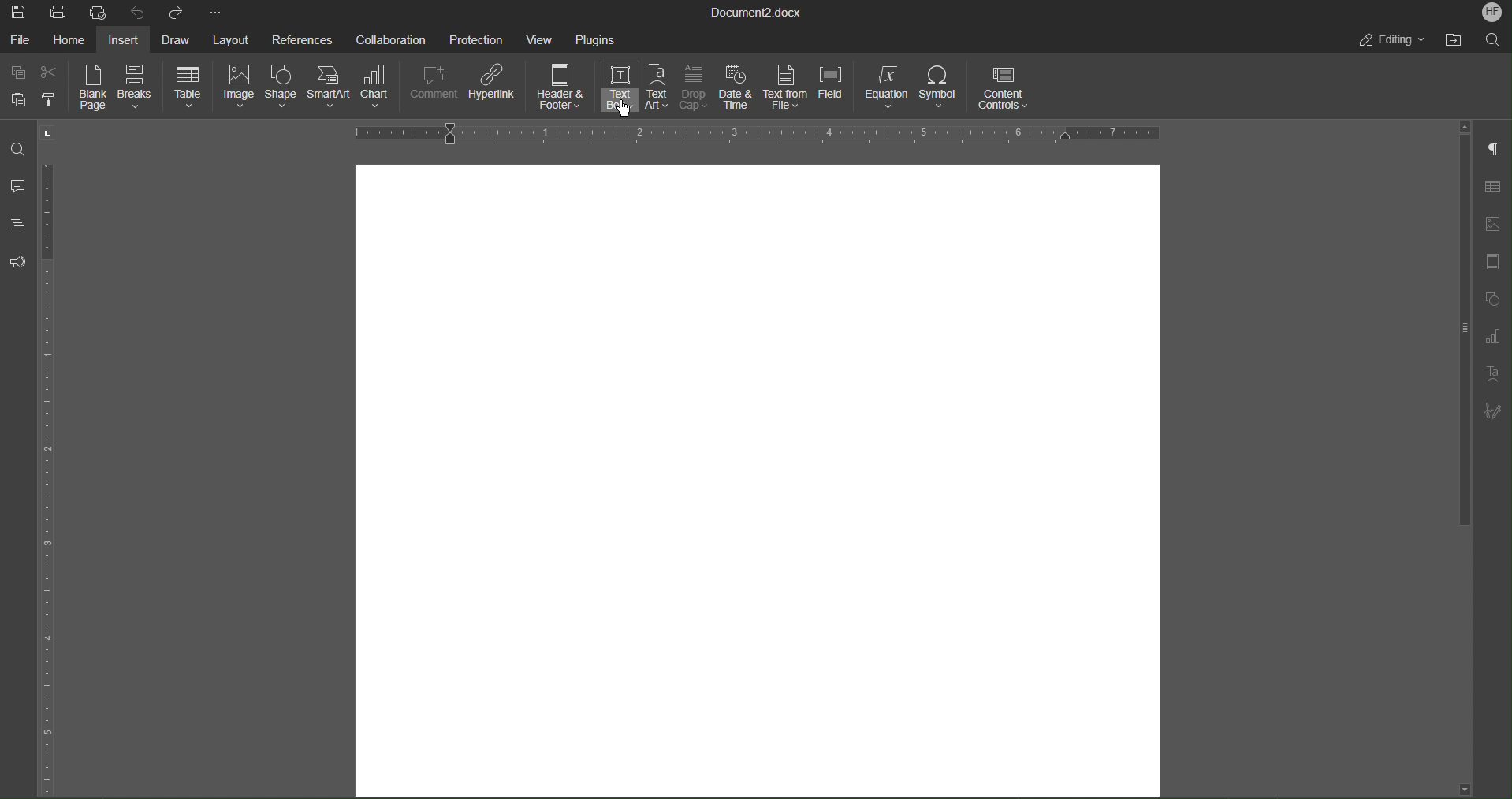 Image resolution: width=1512 pixels, height=799 pixels. What do you see at coordinates (54, 100) in the screenshot?
I see `Copy Style` at bounding box center [54, 100].